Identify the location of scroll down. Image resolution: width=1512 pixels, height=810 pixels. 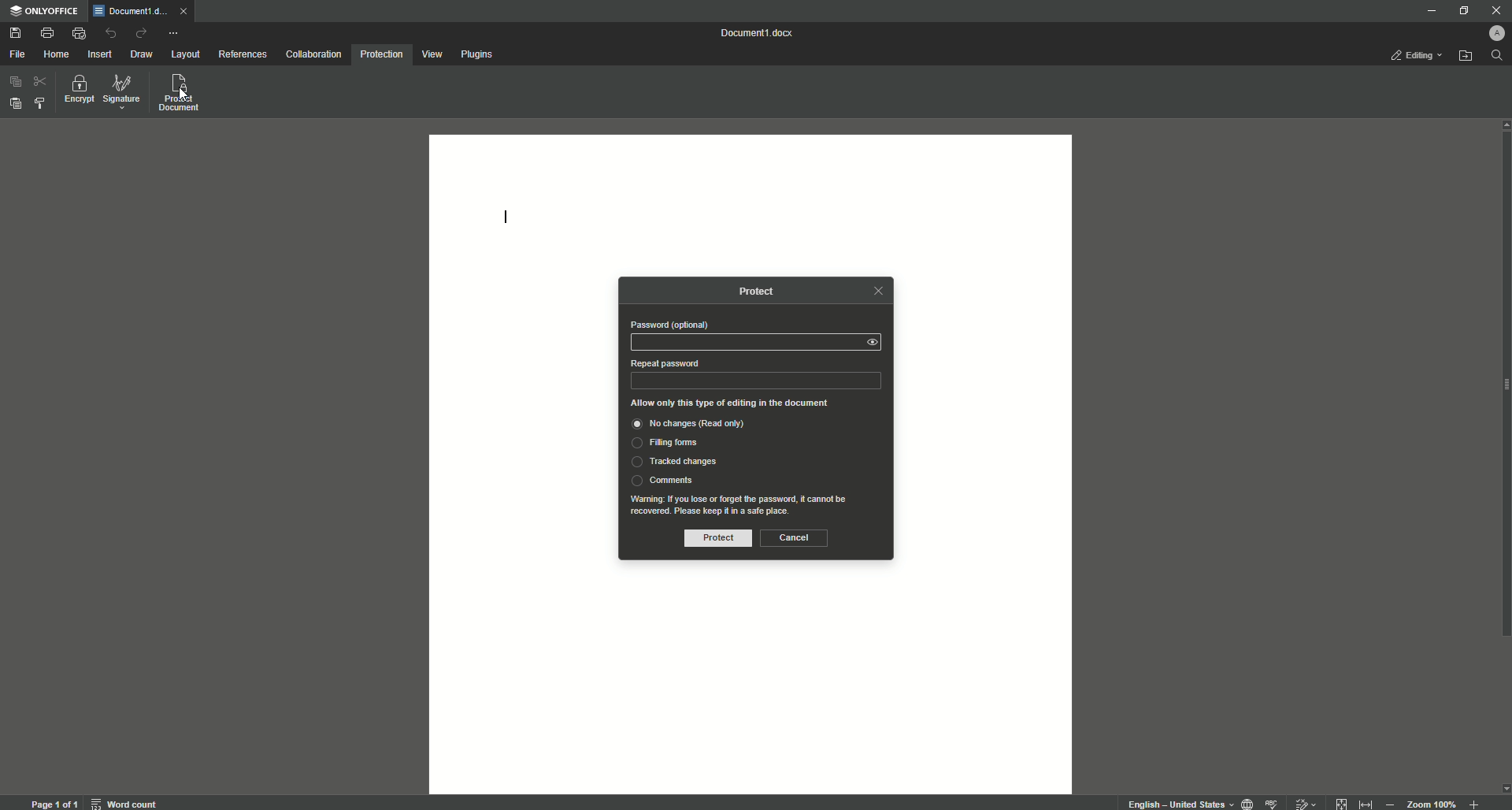
(1503, 788).